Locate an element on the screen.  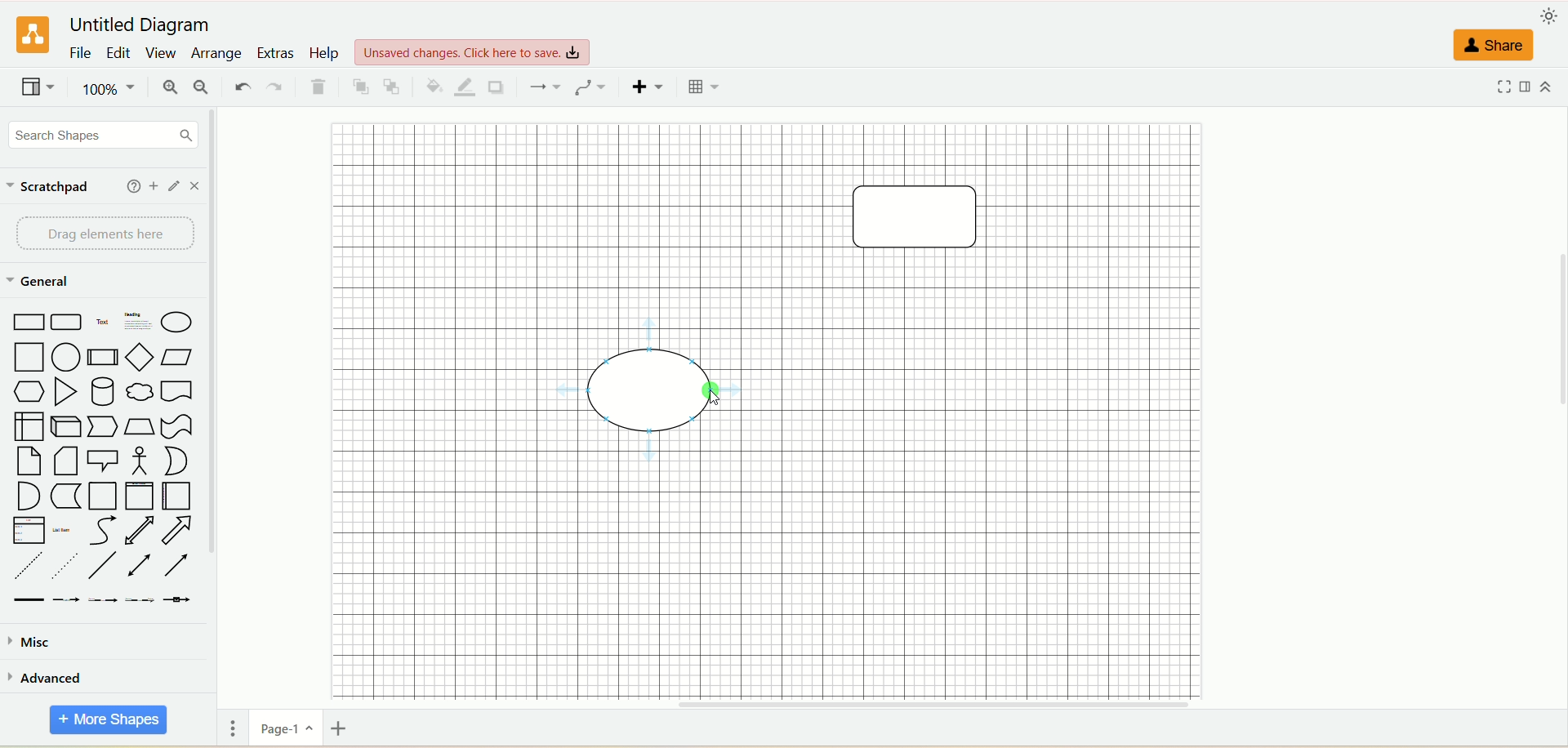
drag element here is located at coordinates (104, 235).